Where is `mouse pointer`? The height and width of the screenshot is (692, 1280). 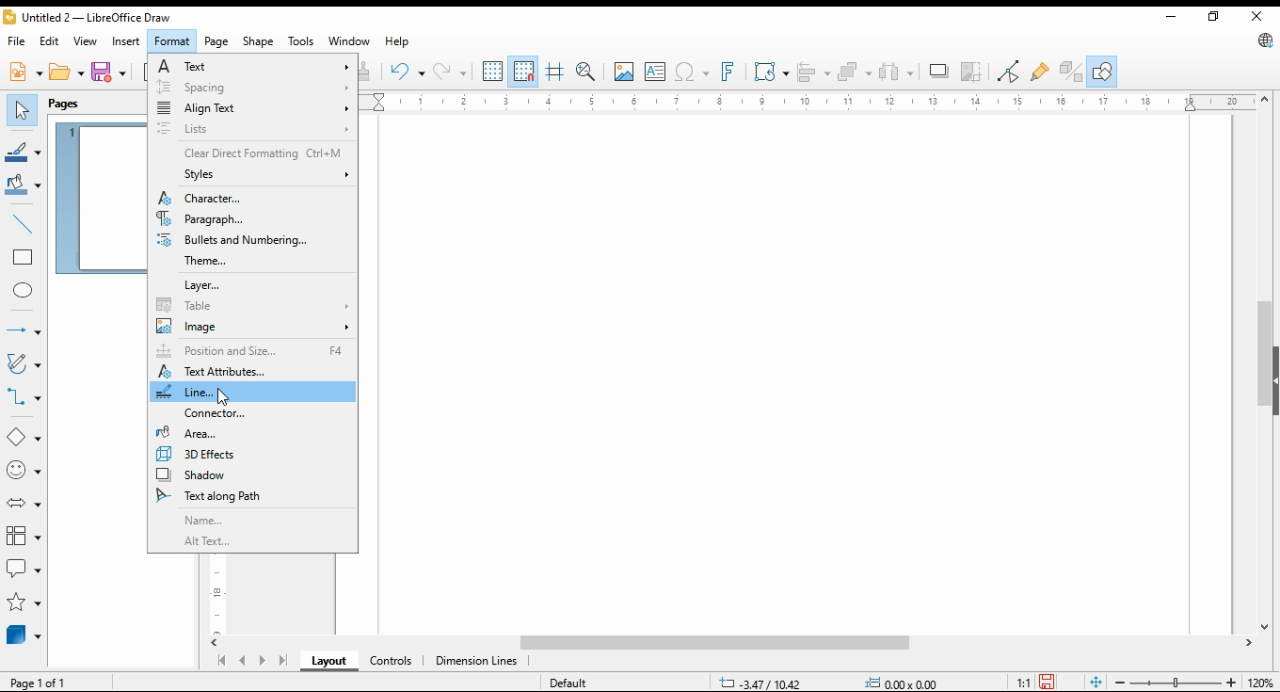 mouse pointer is located at coordinates (223, 396).